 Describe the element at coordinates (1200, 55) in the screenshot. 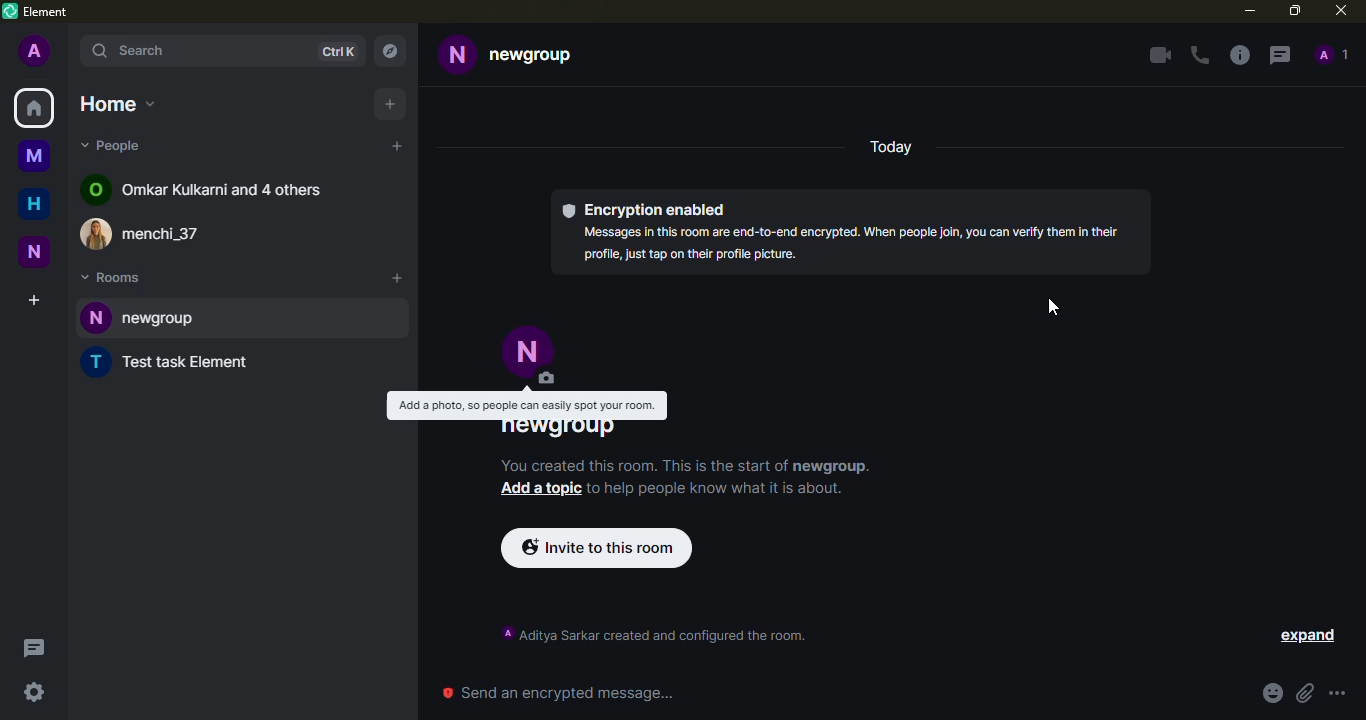

I see `voice call` at that location.